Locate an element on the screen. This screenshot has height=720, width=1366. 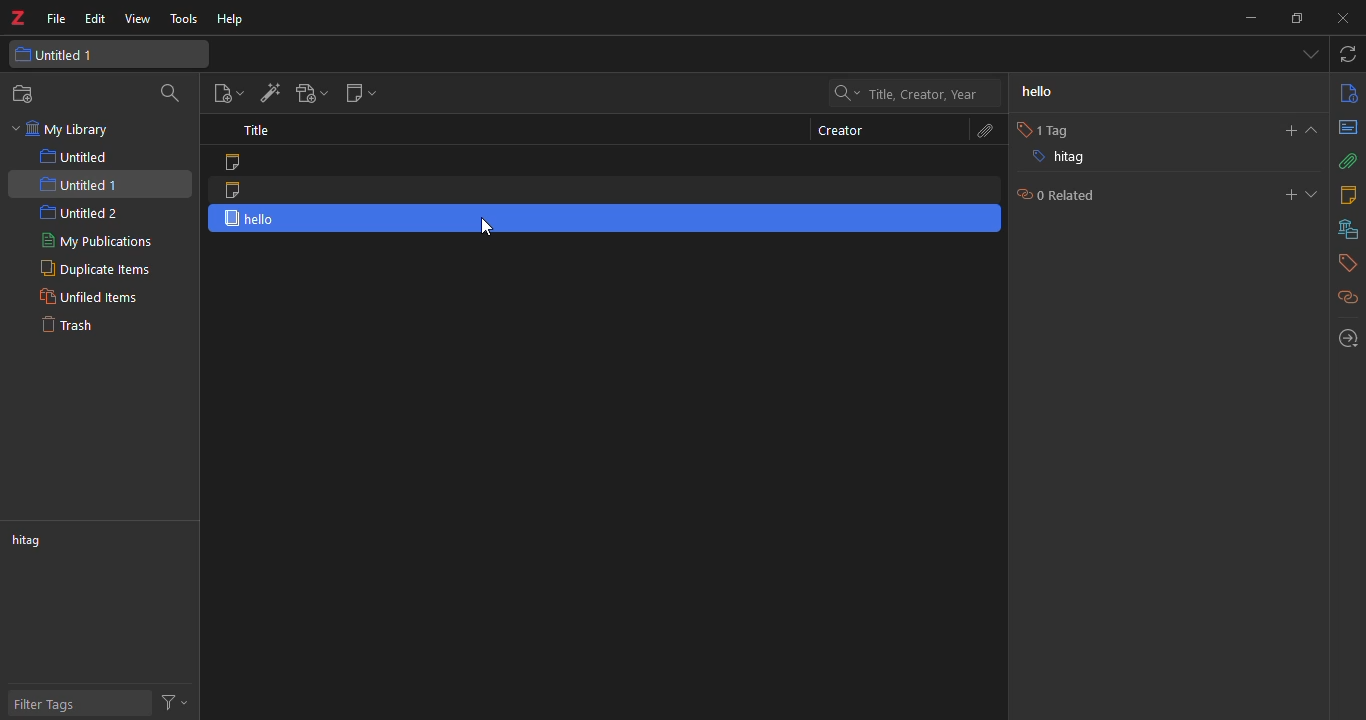
1 tag is located at coordinates (1038, 131).